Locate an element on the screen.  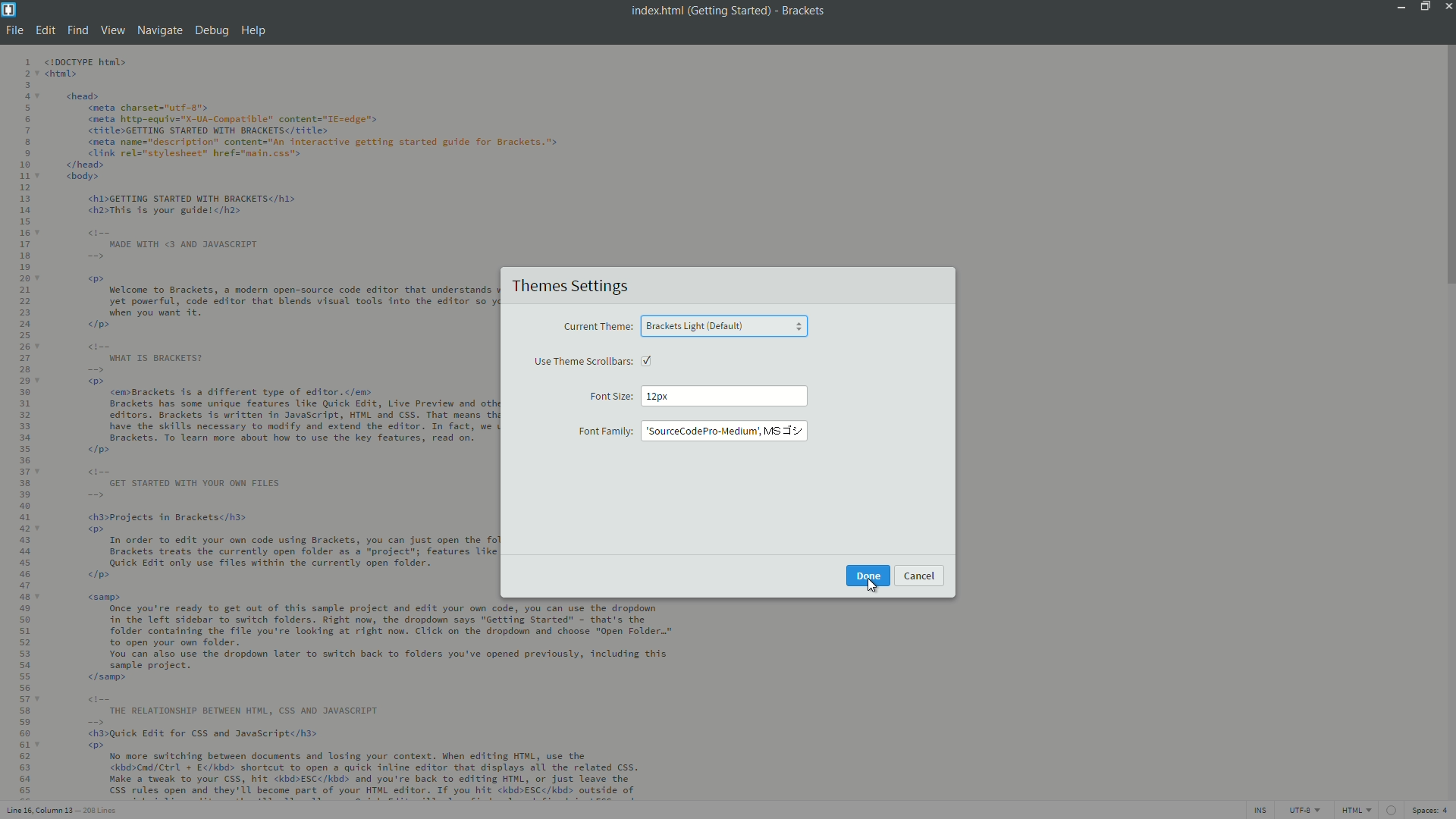
view menu is located at coordinates (113, 31).